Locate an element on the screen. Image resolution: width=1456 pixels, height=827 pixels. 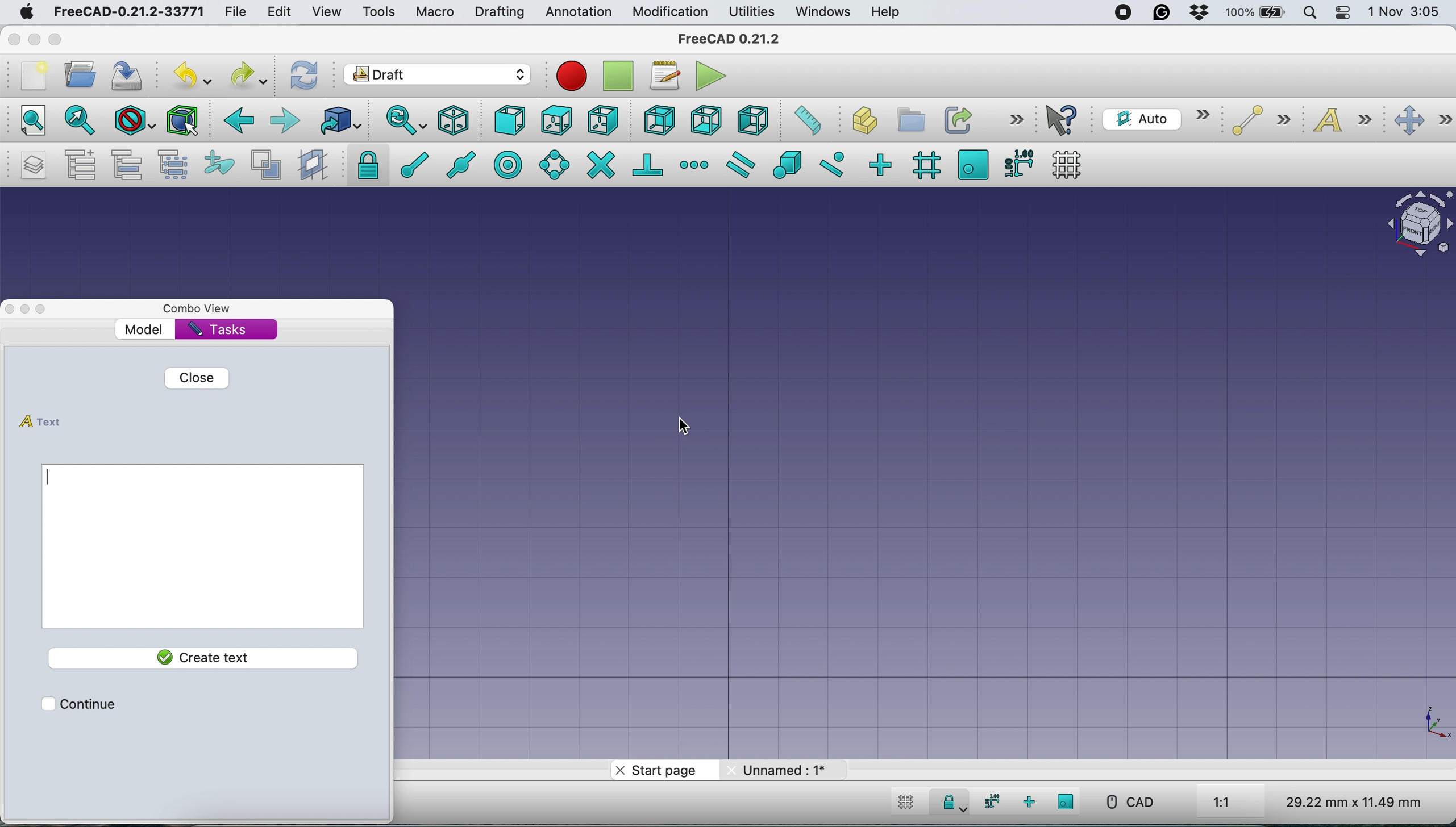
help is located at coordinates (884, 14).